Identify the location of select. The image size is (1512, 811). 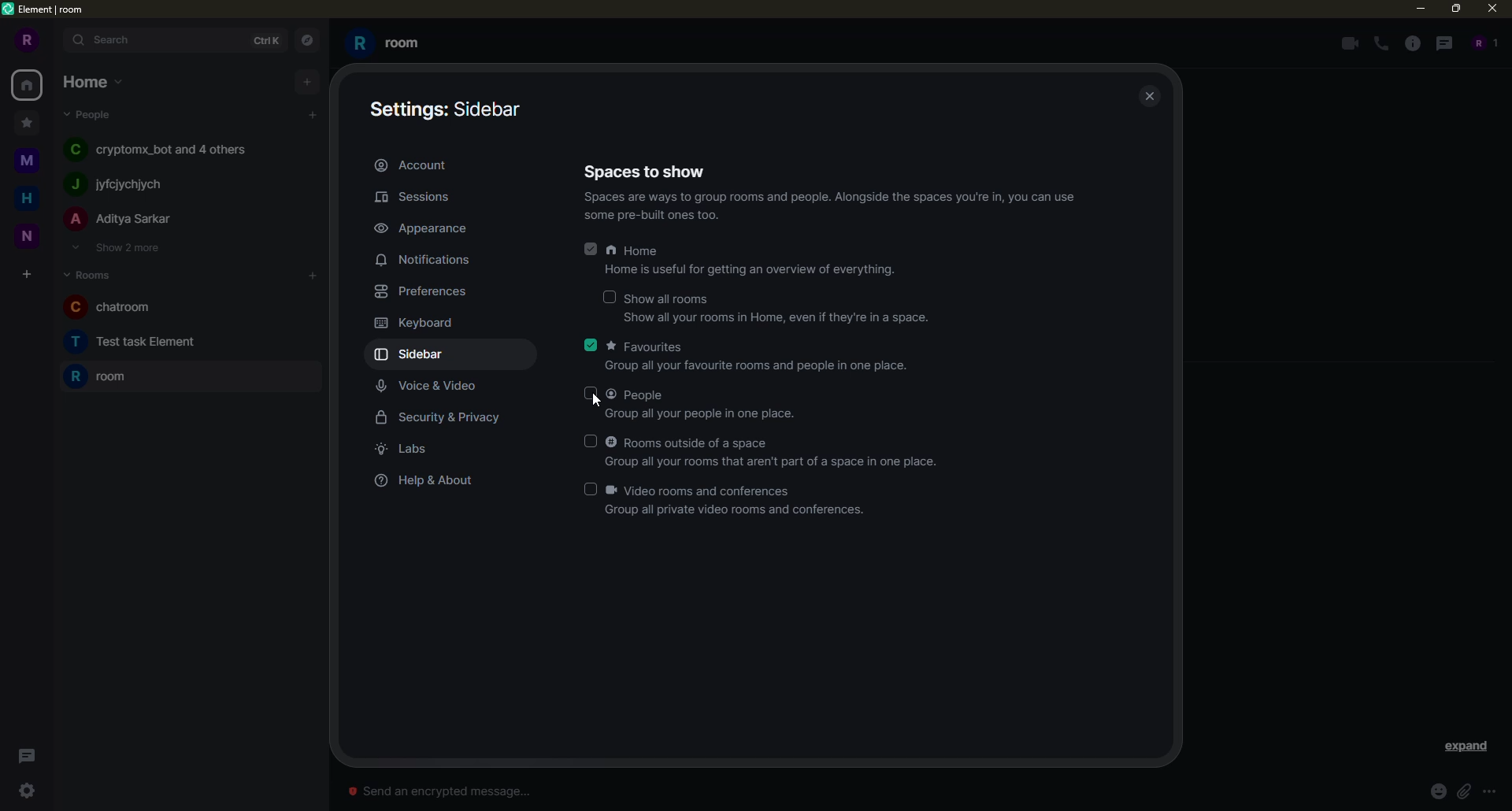
(591, 490).